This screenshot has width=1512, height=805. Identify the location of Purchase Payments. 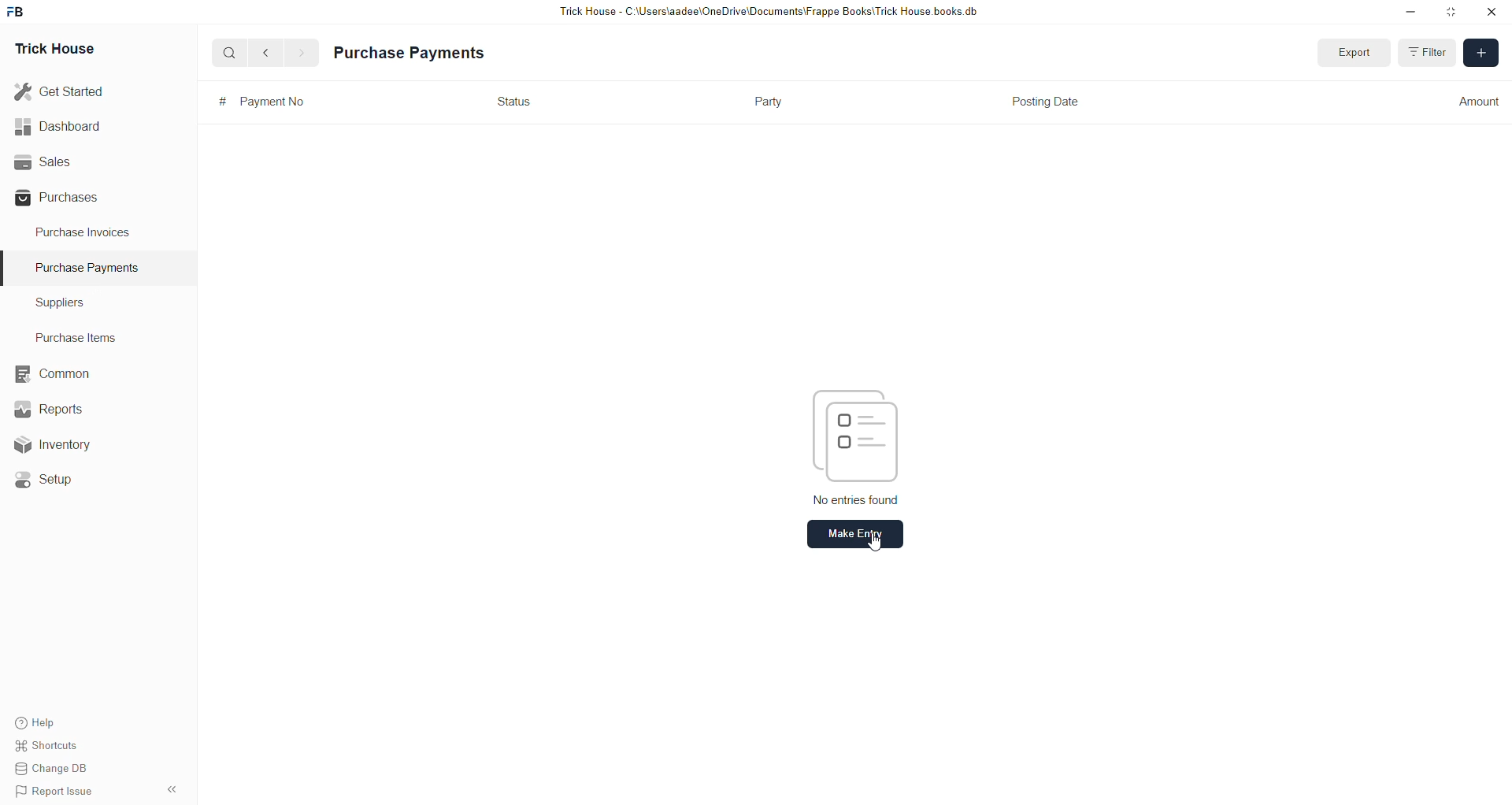
(92, 268).